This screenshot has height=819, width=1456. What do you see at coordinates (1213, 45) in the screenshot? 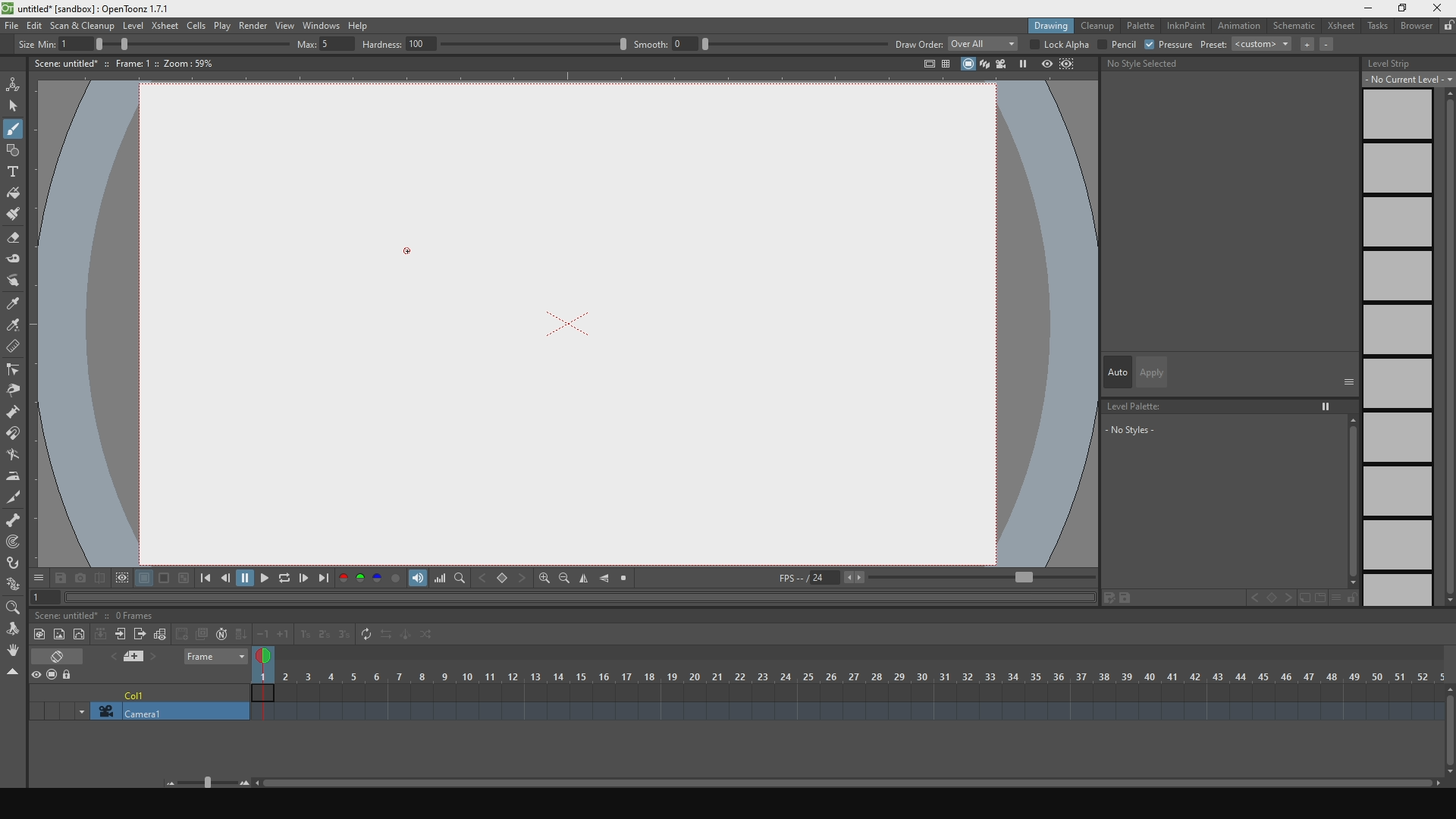
I see `preset` at bounding box center [1213, 45].